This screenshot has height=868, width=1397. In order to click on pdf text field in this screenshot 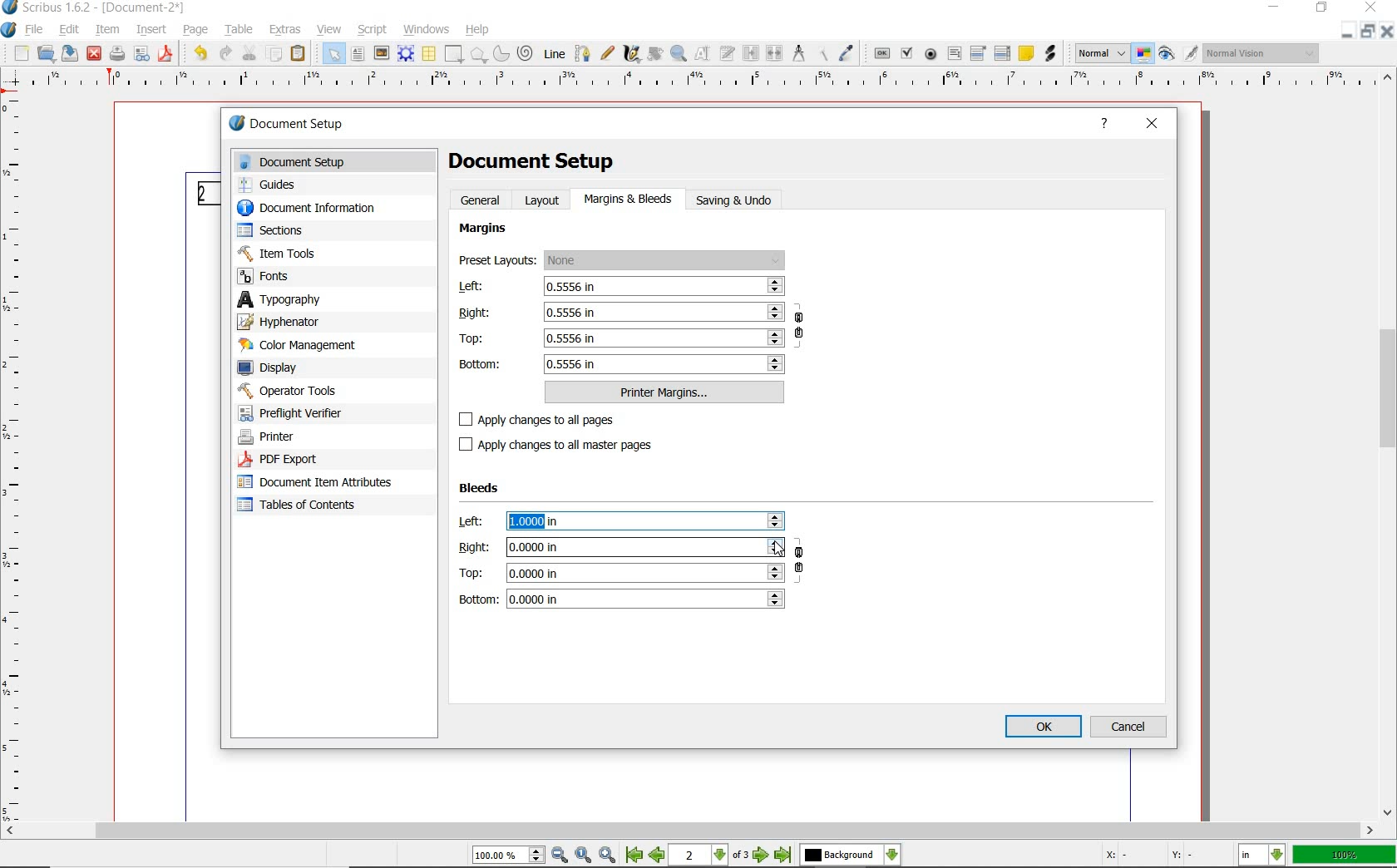, I will do `click(954, 53)`.